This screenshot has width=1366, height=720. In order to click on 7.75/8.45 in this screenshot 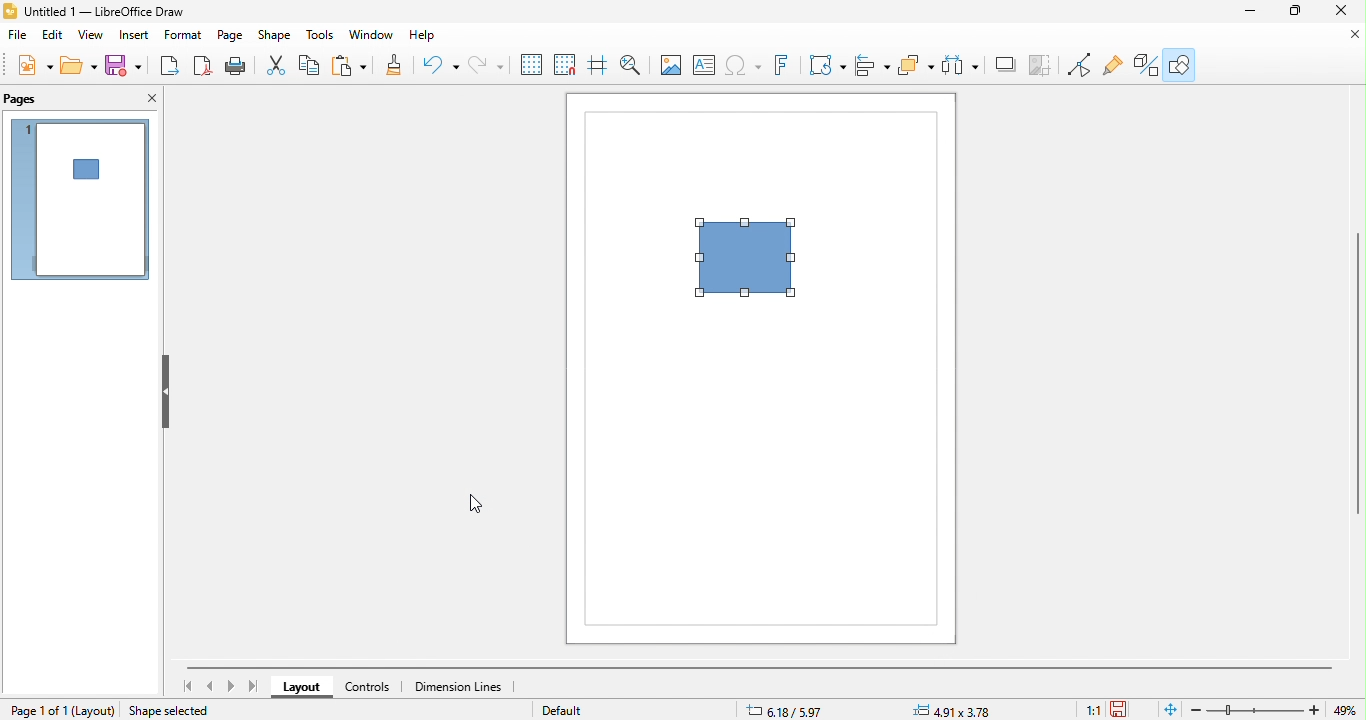, I will do `click(812, 709)`.